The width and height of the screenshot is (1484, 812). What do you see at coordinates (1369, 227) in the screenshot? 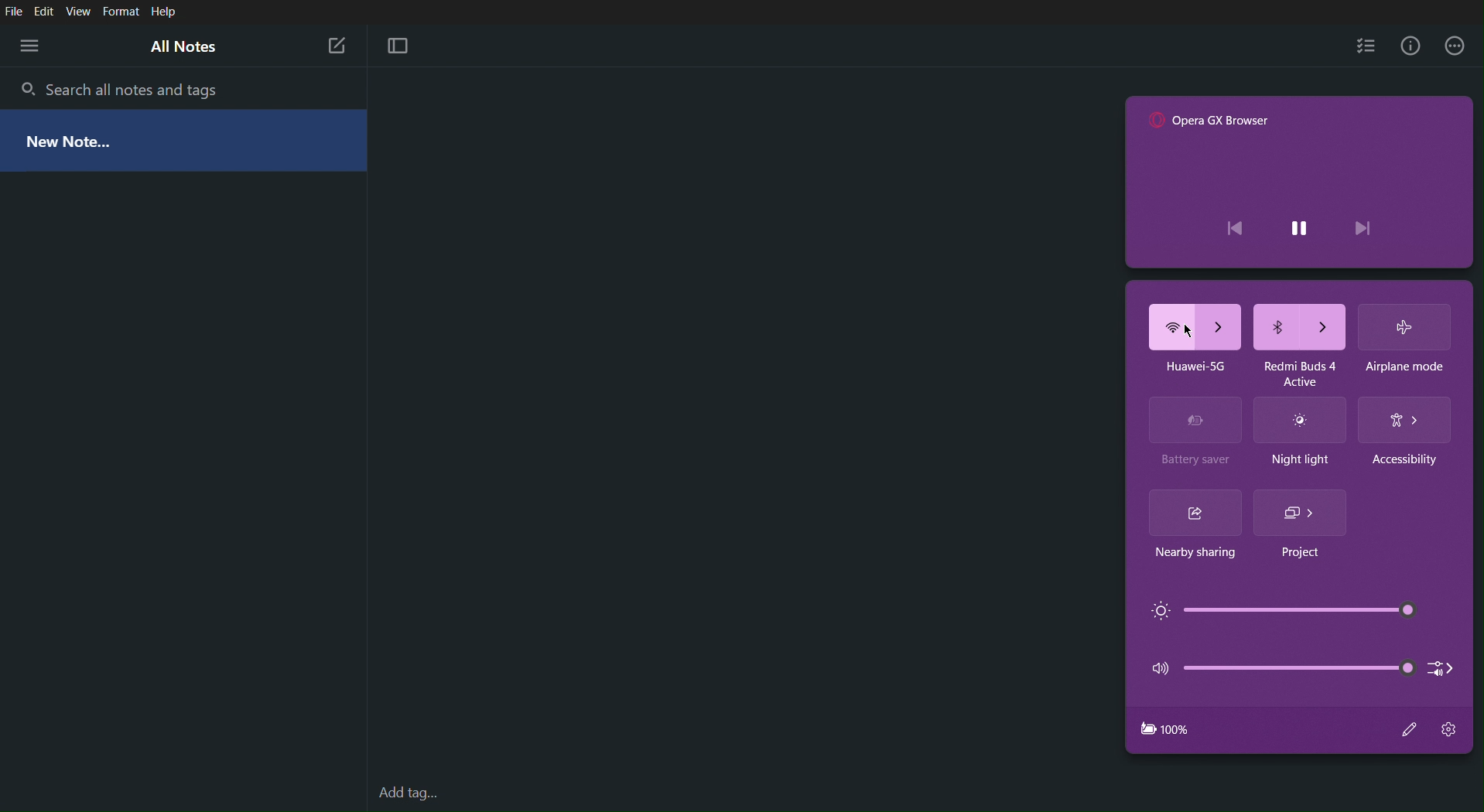
I see `next` at bounding box center [1369, 227].